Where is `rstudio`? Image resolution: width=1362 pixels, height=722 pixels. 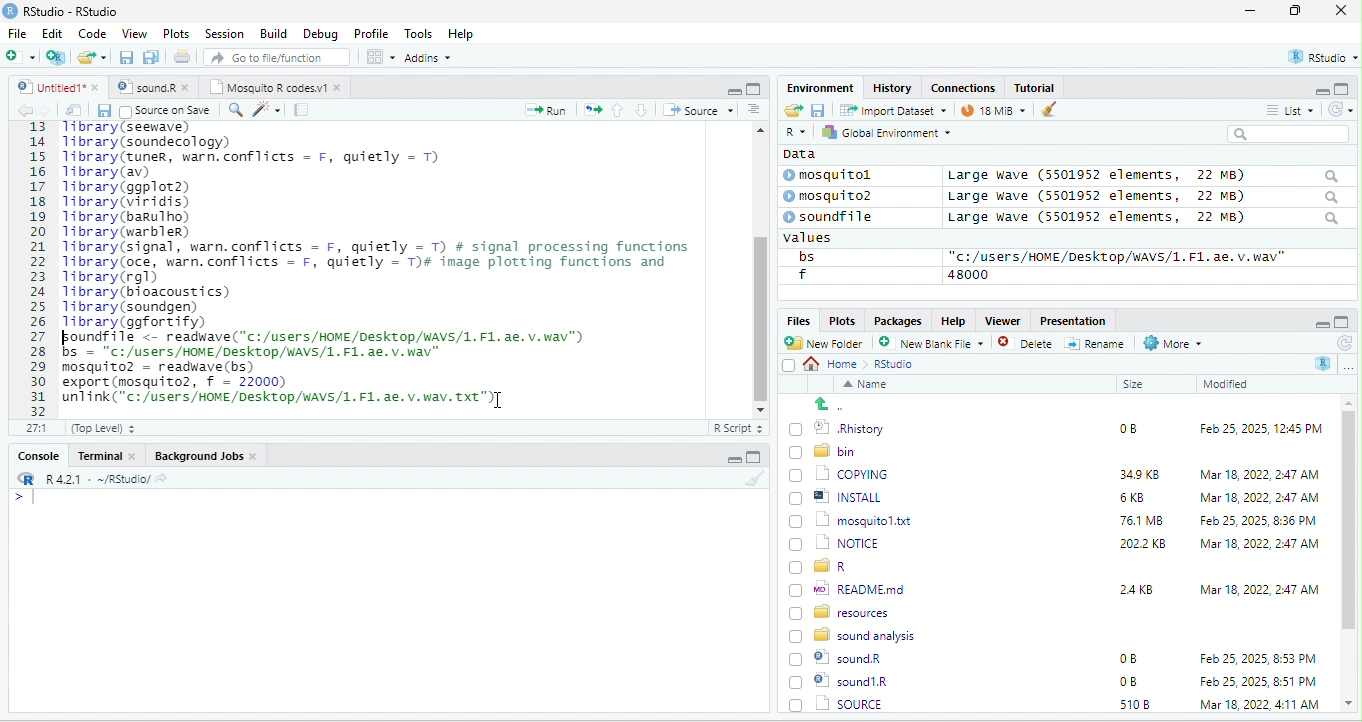 rstudio is located at coordinates (1319, 58).